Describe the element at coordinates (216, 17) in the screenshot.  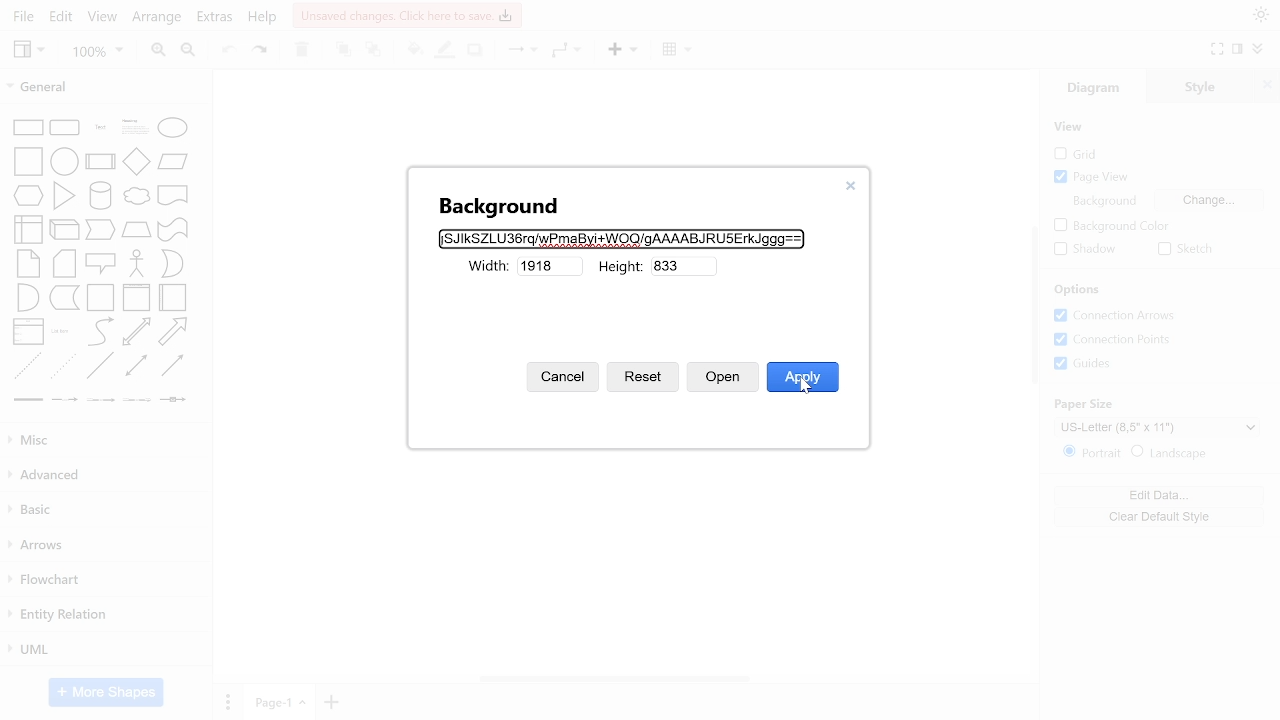
I see `extras` at that location.